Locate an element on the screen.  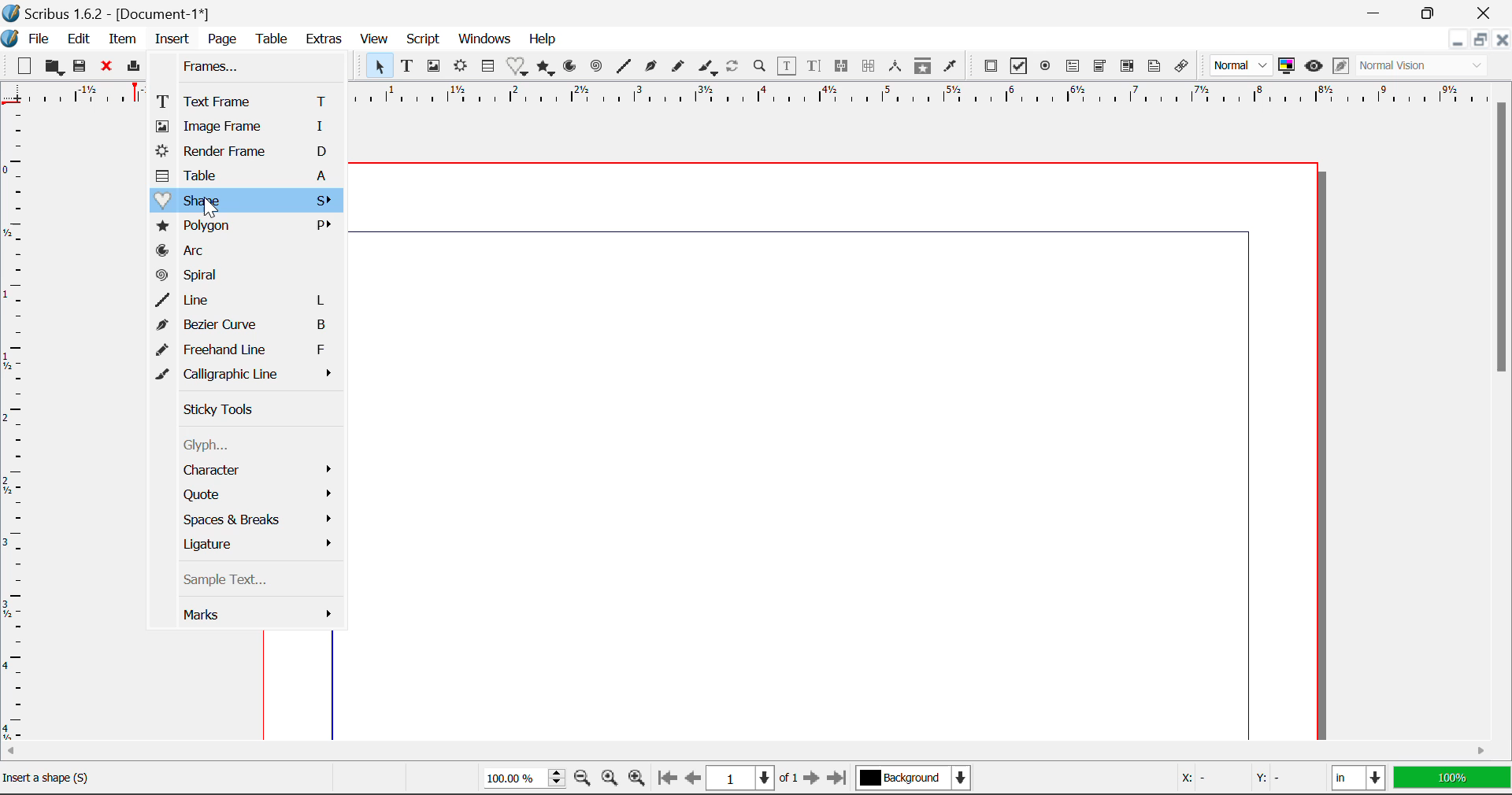
Help is located at coordinates (543, 39).